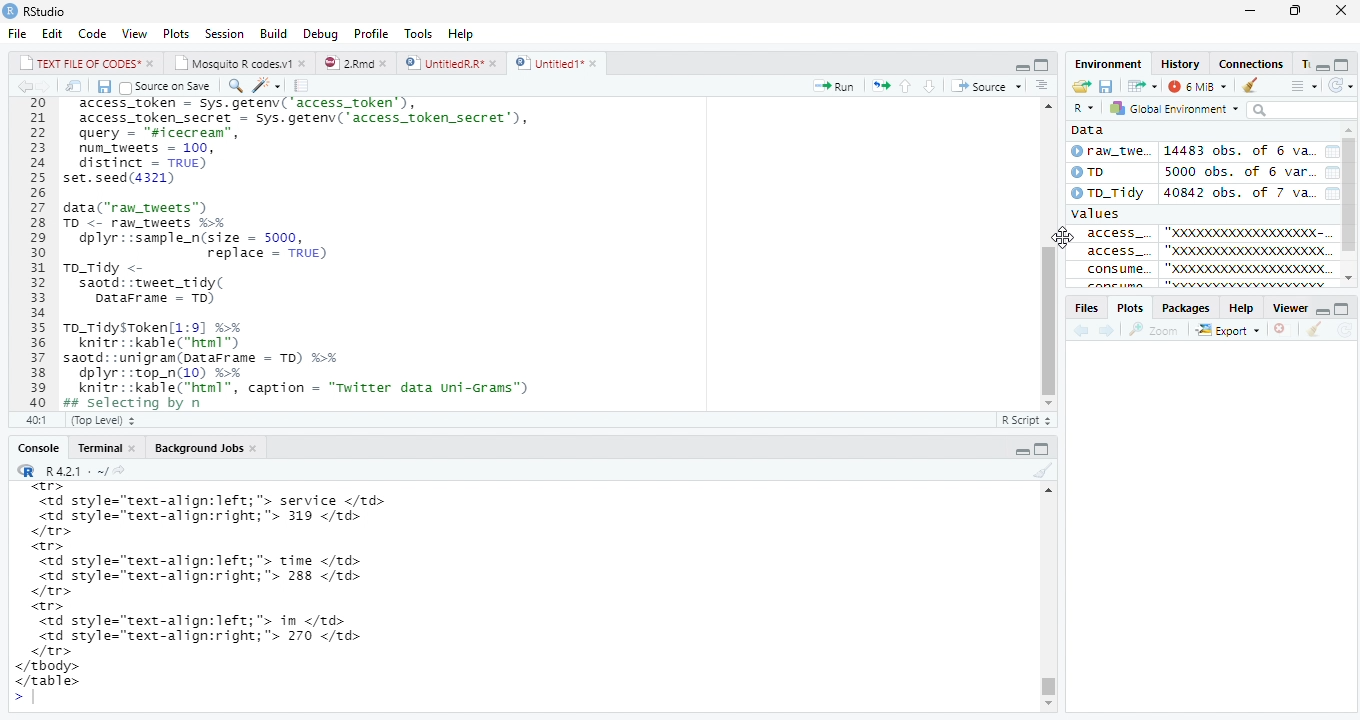 The image size is (1360, 720). What do you see at coordinates (303, 266) in the screenshot?
I see `20 access_token - Sys.getenv('access_token’),
21 access_token_secret - sys.getenv( access_token secret’),
22 query - "sicecrean”,

23 num_tweets = 100,

24 distinct = TRUE)

25 set.seed(4321)

26

27 data("raw_tweets")

28 TD <- raw tweets H¥

29 dplyr::sample_n(size = 5000,

30 replace = TRUE)

31 To_Tidy <-

32 saotd::tweet_tidy(

33 Datarrame - TD)

34

35 To_TidysToken[1:9] %%

36 knitr::kable("html™)

37 saotd: :unigram(pataFrame = TD) %>%

38 dplyr::top_n(10) %%

39 knitr::kable("html”, caption = "Twitter data uni-Grams")
40 Bs selecting bv n` at bounding box center [303, 266].